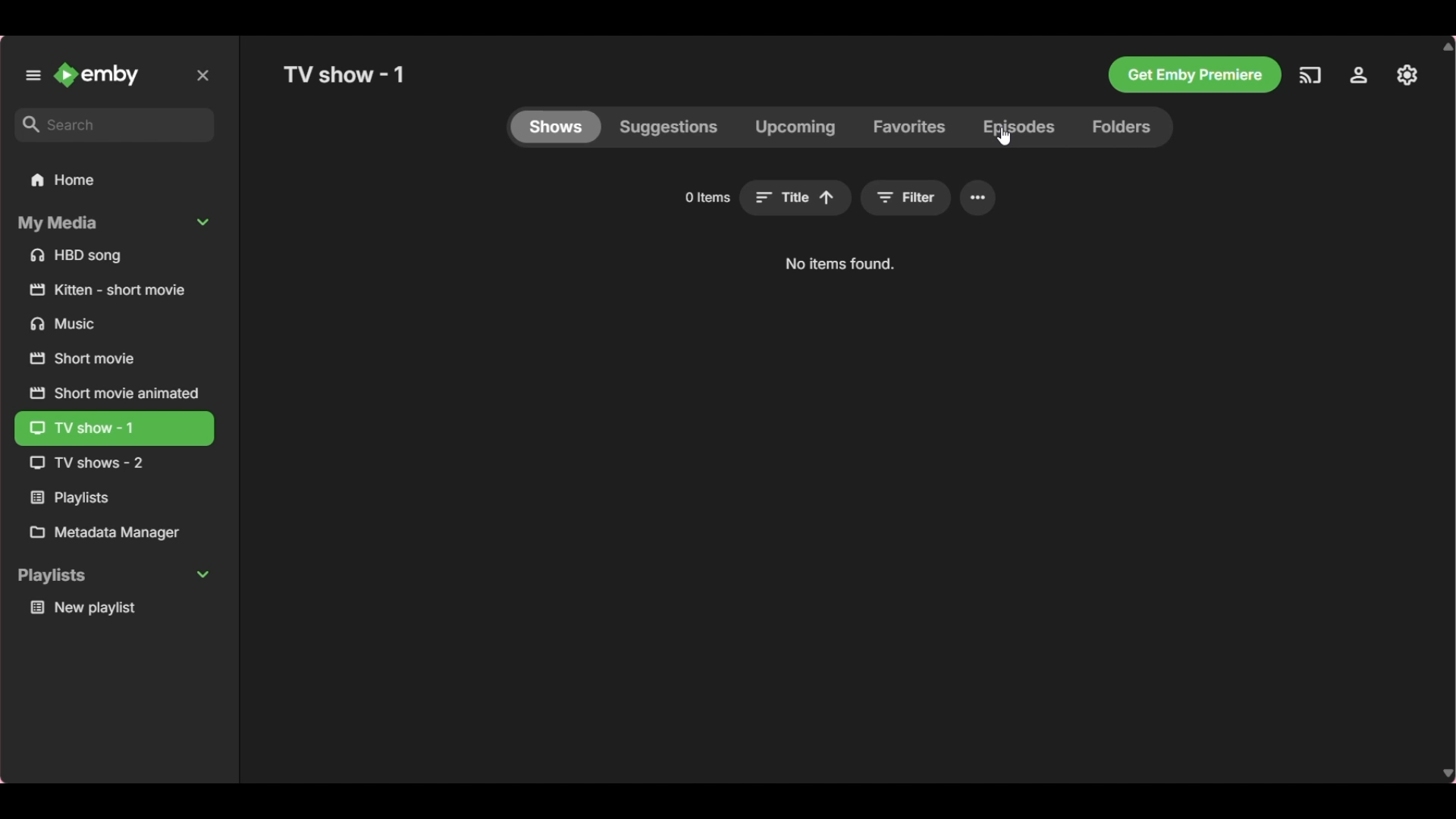  Describe the element at coordinates (344, 74) in the screenshot. I see `Title of current page` at that location.